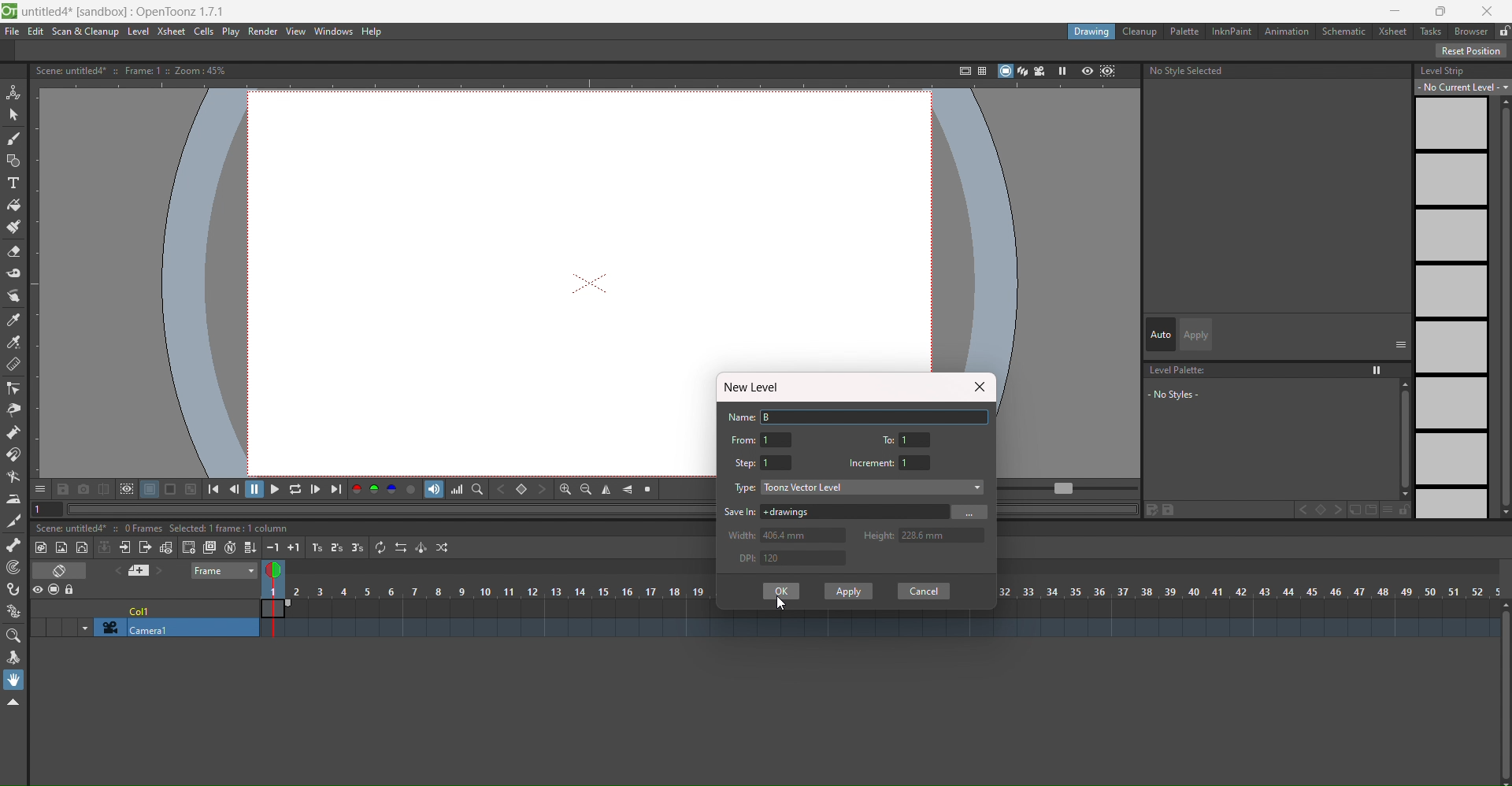  What do you see at coordinates (14, 545) in the screenshot?
I see `skeleton tool` at bounding box center [14, 545].